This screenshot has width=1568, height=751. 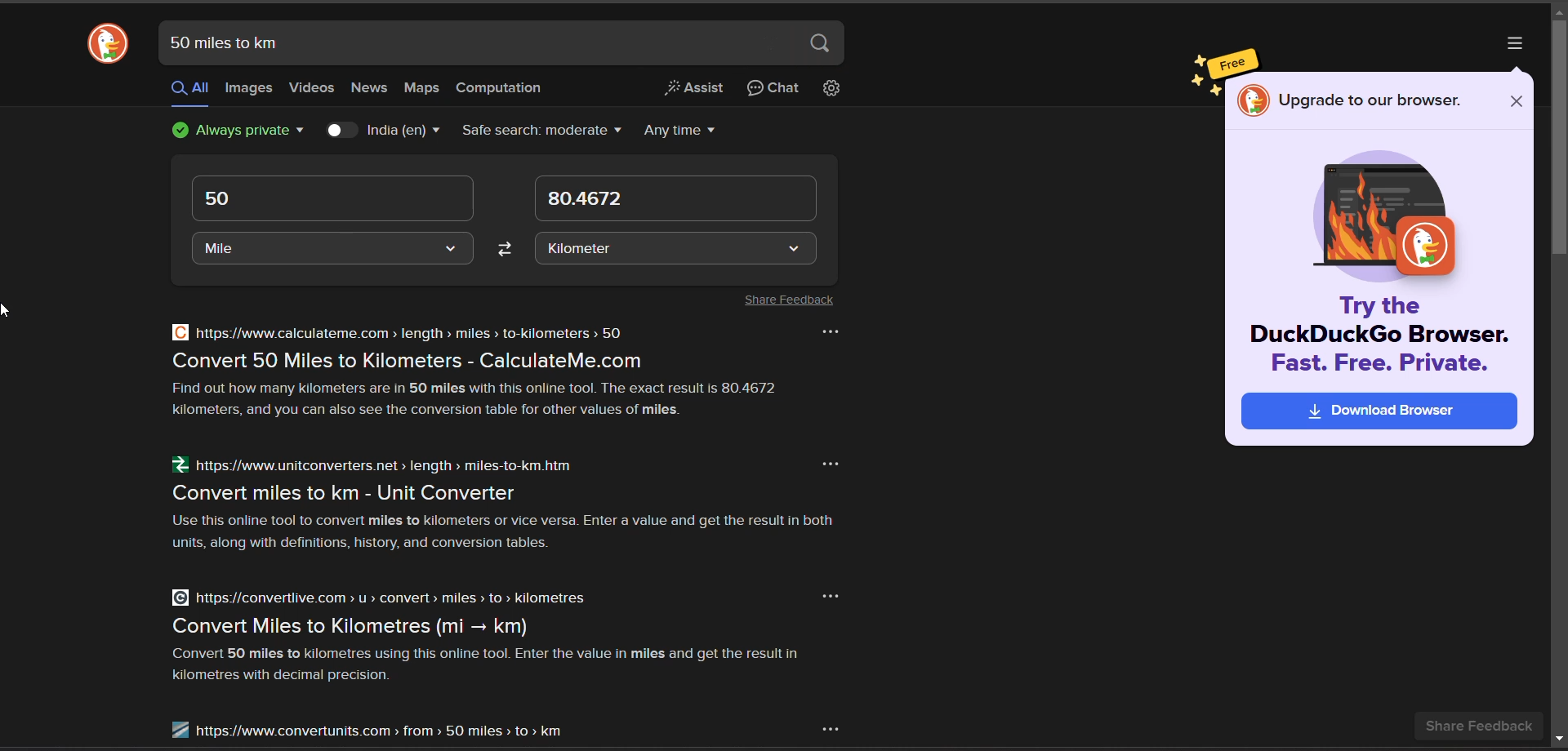 What do you see at coordinates (479, 388) in the screenshot?
I see `Convert 50 Miles to Kilometers - CalculateMe.com
Find out how many kilometers are in 50 miles with this online tool. The exact result is 80.4672
kilometers, and you can also see the conversion table for other values of miles.` at bounding box center [479, 388].